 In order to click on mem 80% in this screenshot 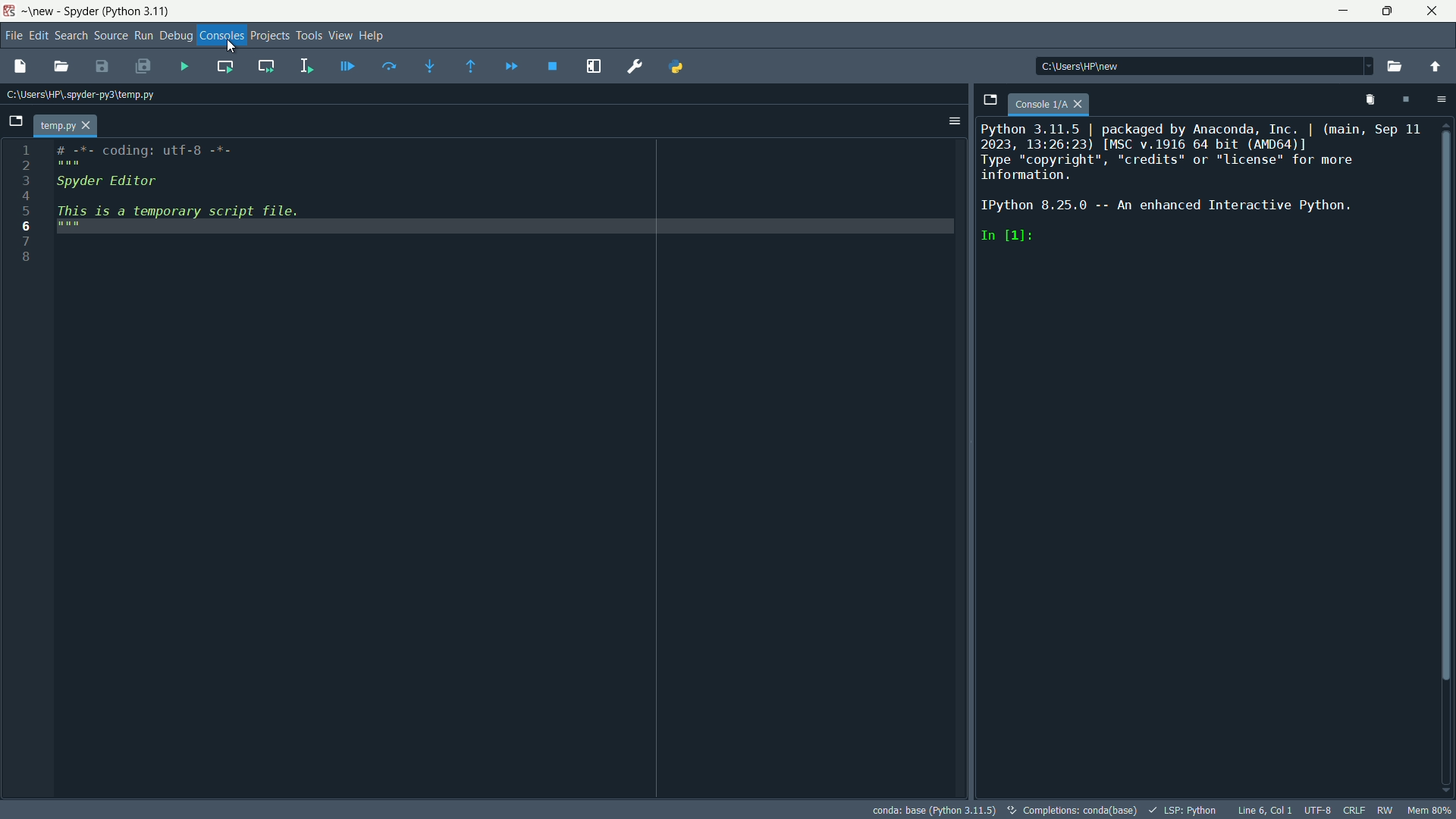, I will do `click(1430, 809)`.